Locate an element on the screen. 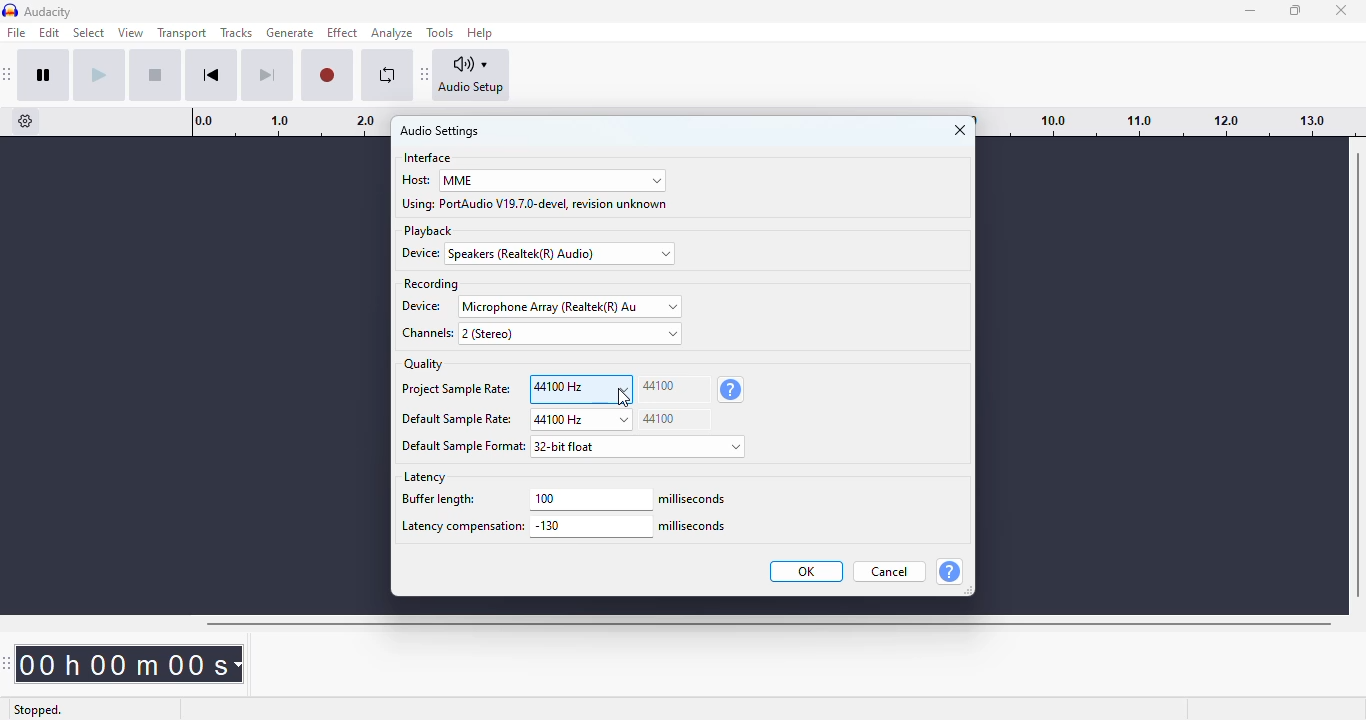 This screenshot has height=720, width=1366. timeline options is located at coordinates (26, 121).